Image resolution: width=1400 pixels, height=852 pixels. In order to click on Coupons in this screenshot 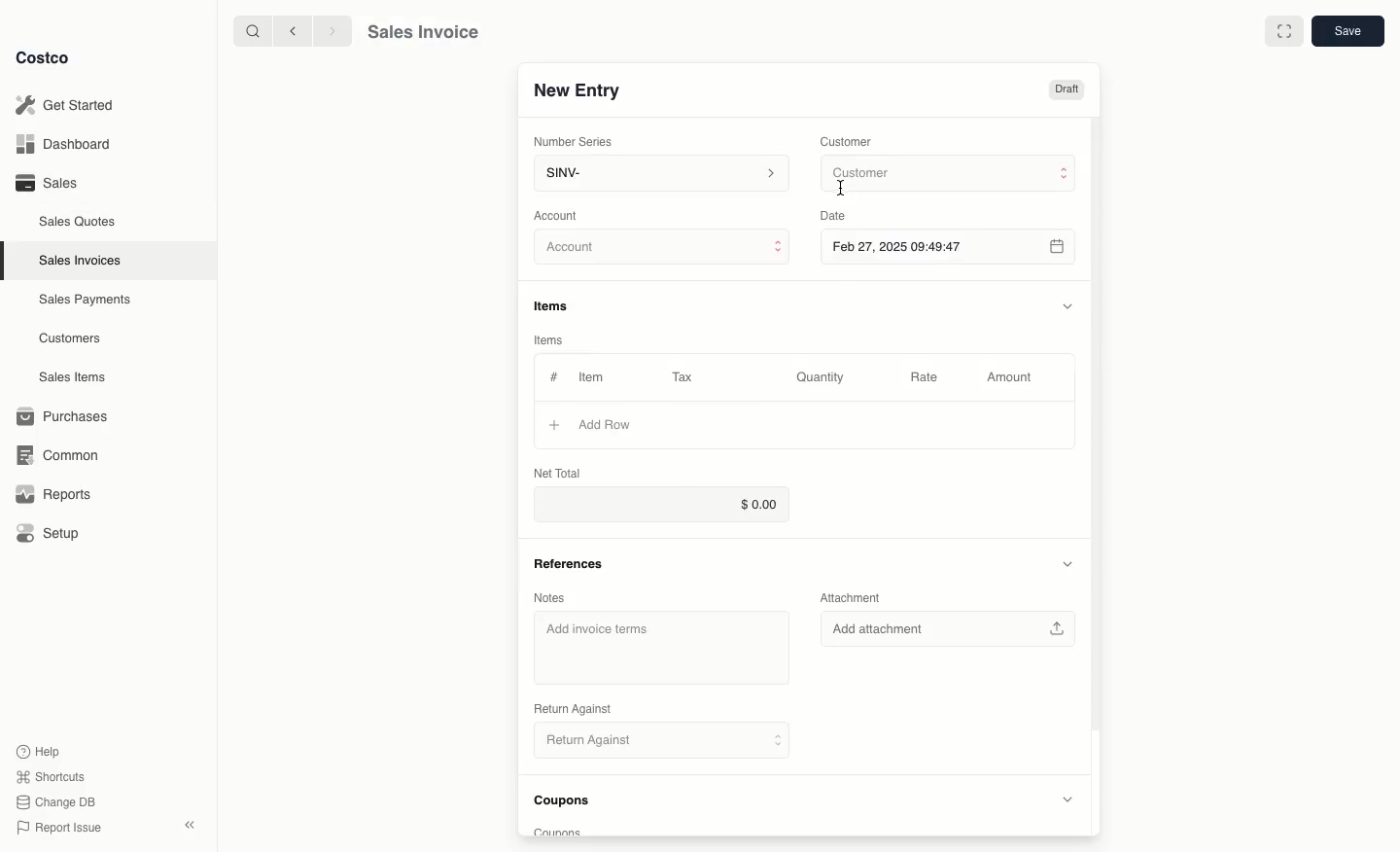, I will do `click(568, 803)`.